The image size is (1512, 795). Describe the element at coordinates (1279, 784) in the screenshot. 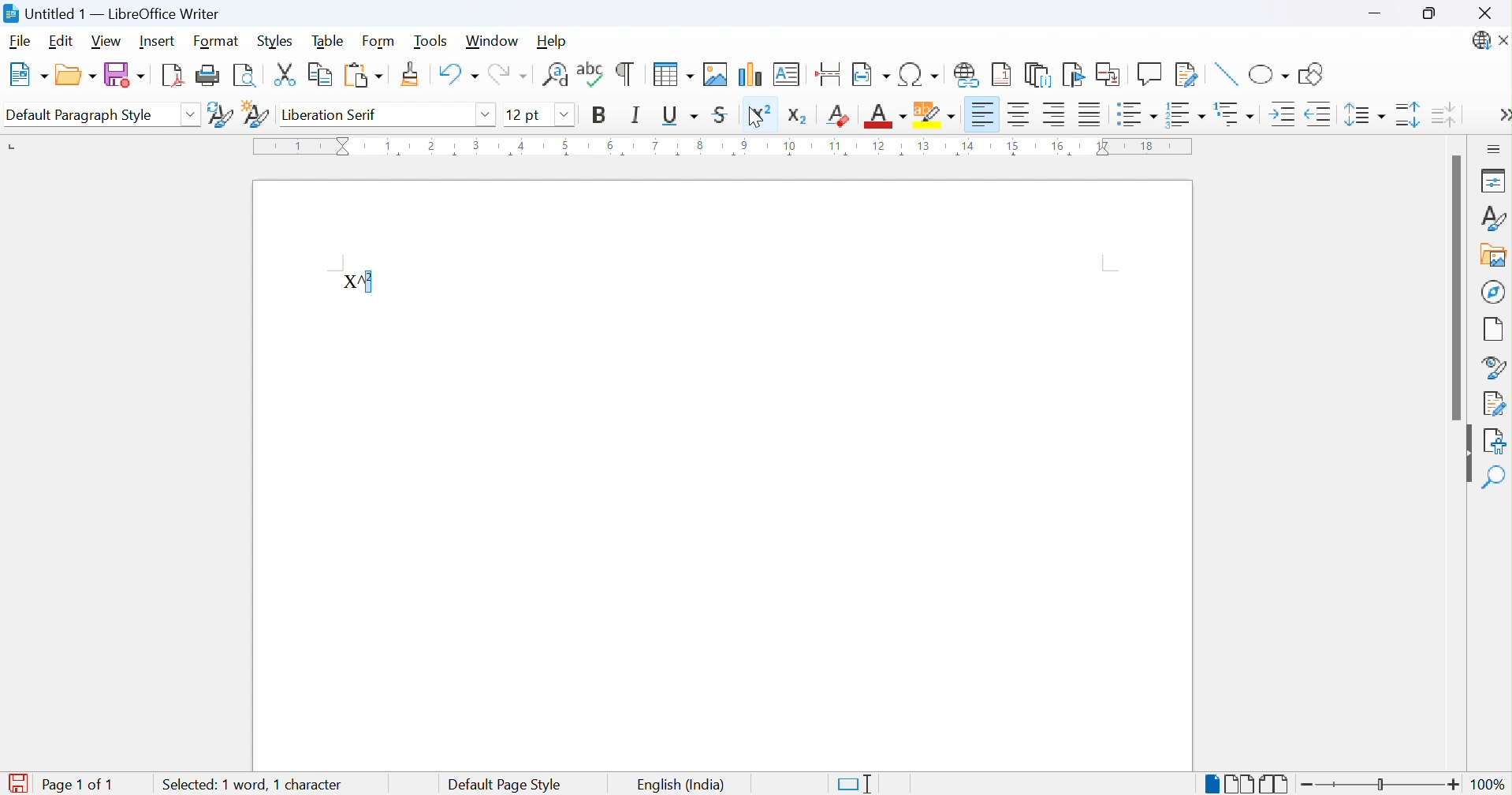

I see `Book view` at that location.